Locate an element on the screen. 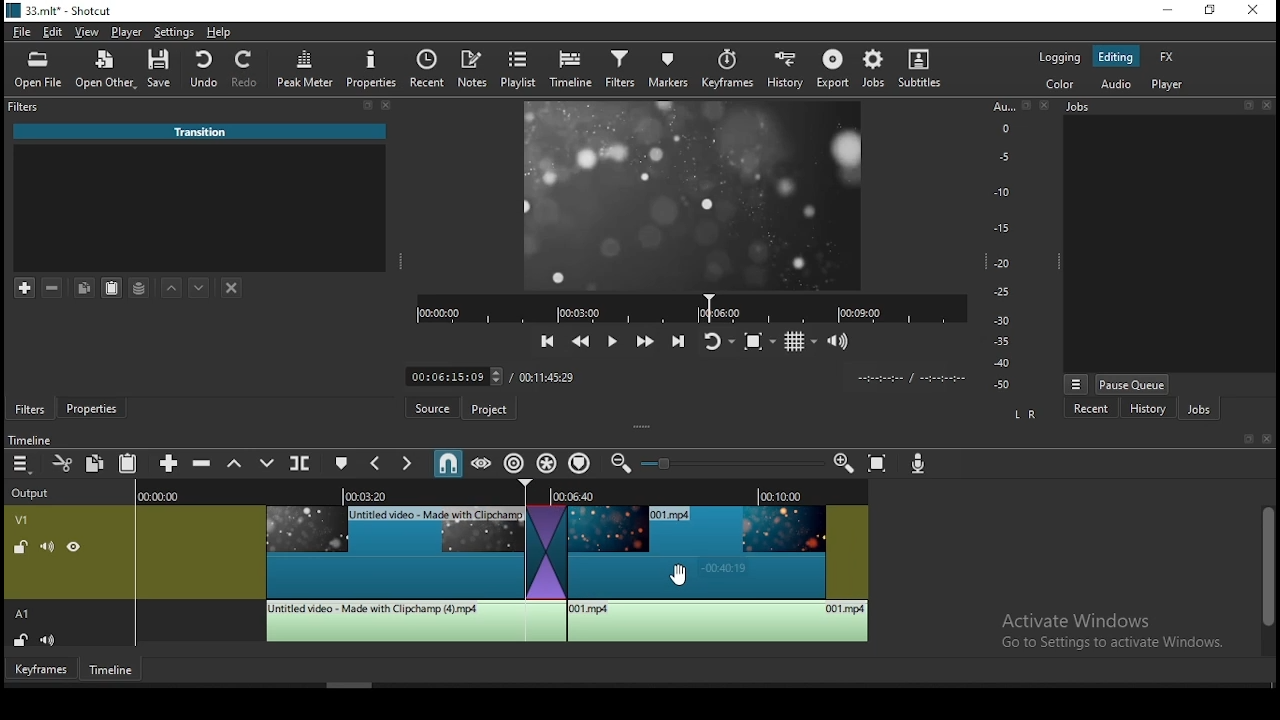 The height and width of the screenshot is (720, 1280). help is located at coordinates (220, 32).